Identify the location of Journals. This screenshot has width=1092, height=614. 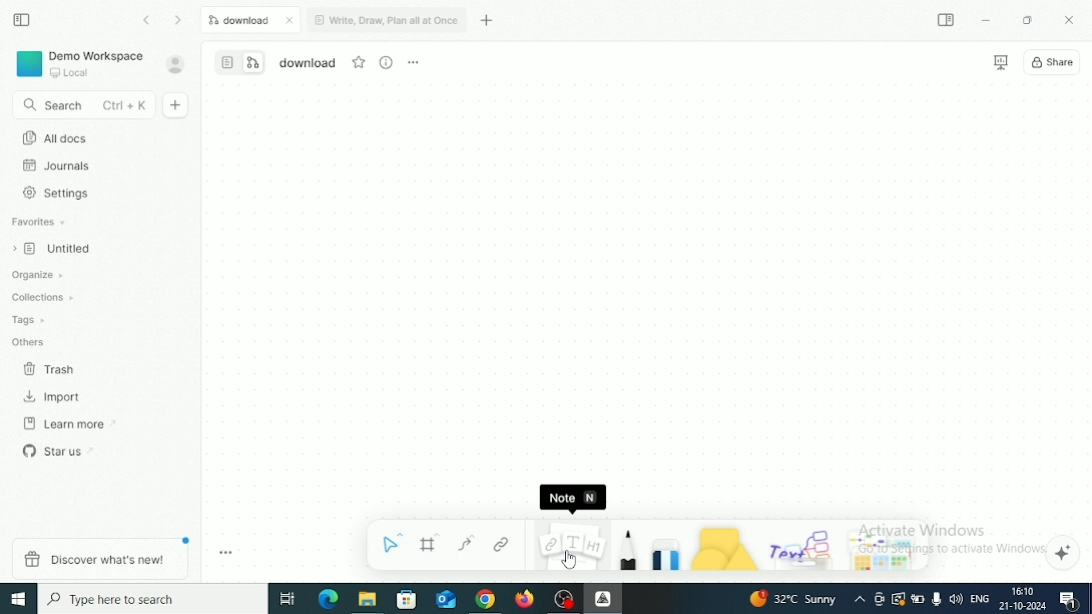
(56, 167).